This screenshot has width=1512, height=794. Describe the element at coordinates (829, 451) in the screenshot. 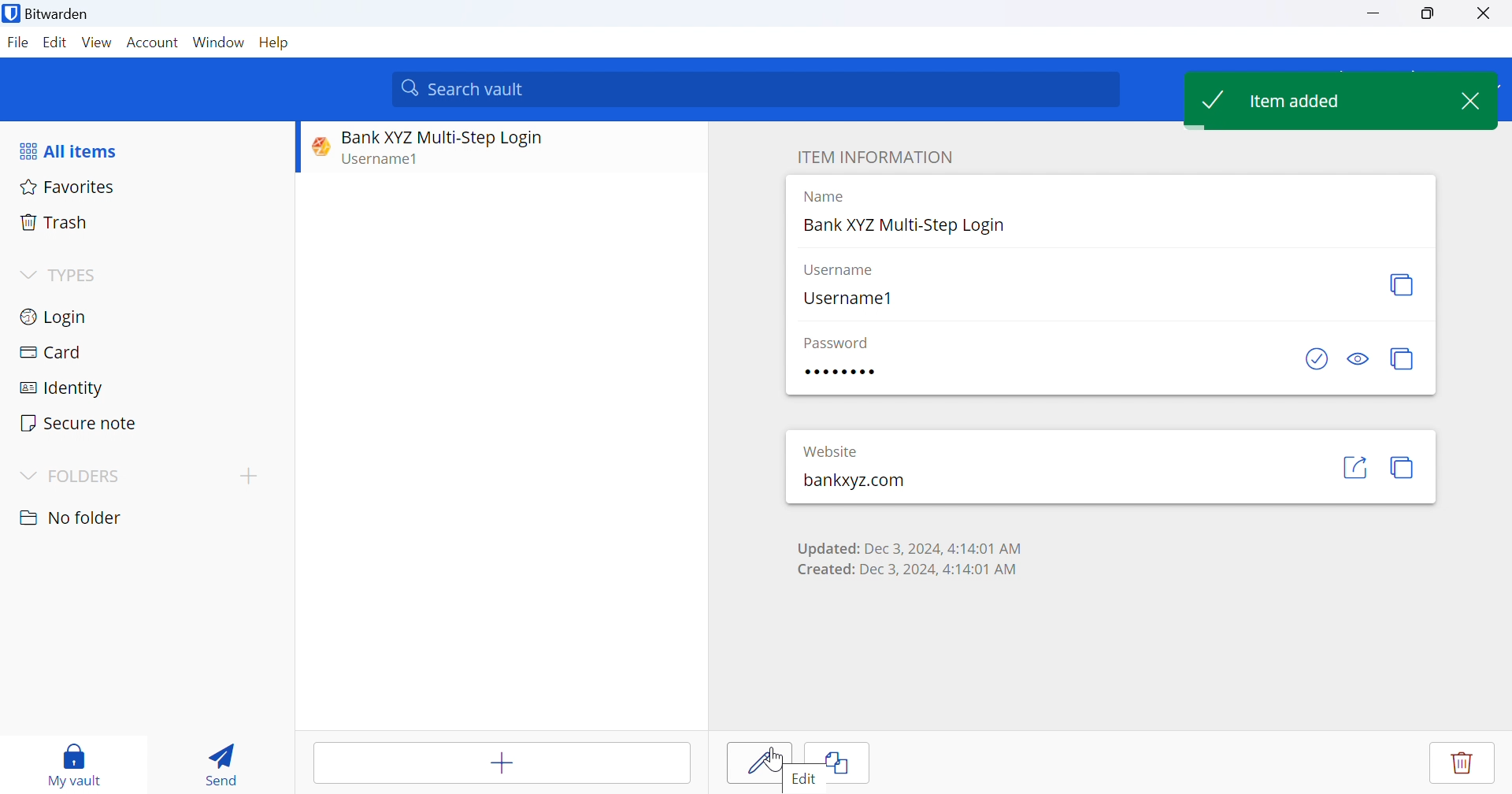

I see `Website` at that location.